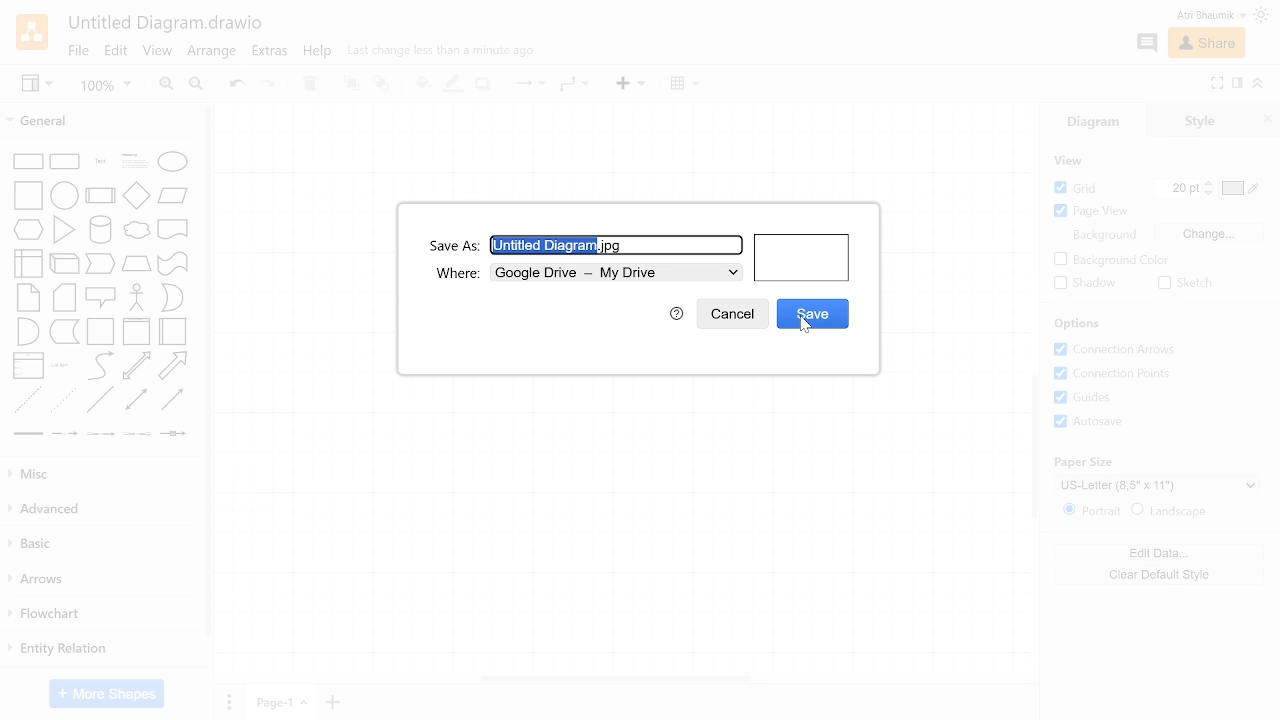 The width and height of the screenshot is (1280, 720). Describe the element at coordinates (1210, 183) in the screenshot. I see `Increase grid pts` at that location.